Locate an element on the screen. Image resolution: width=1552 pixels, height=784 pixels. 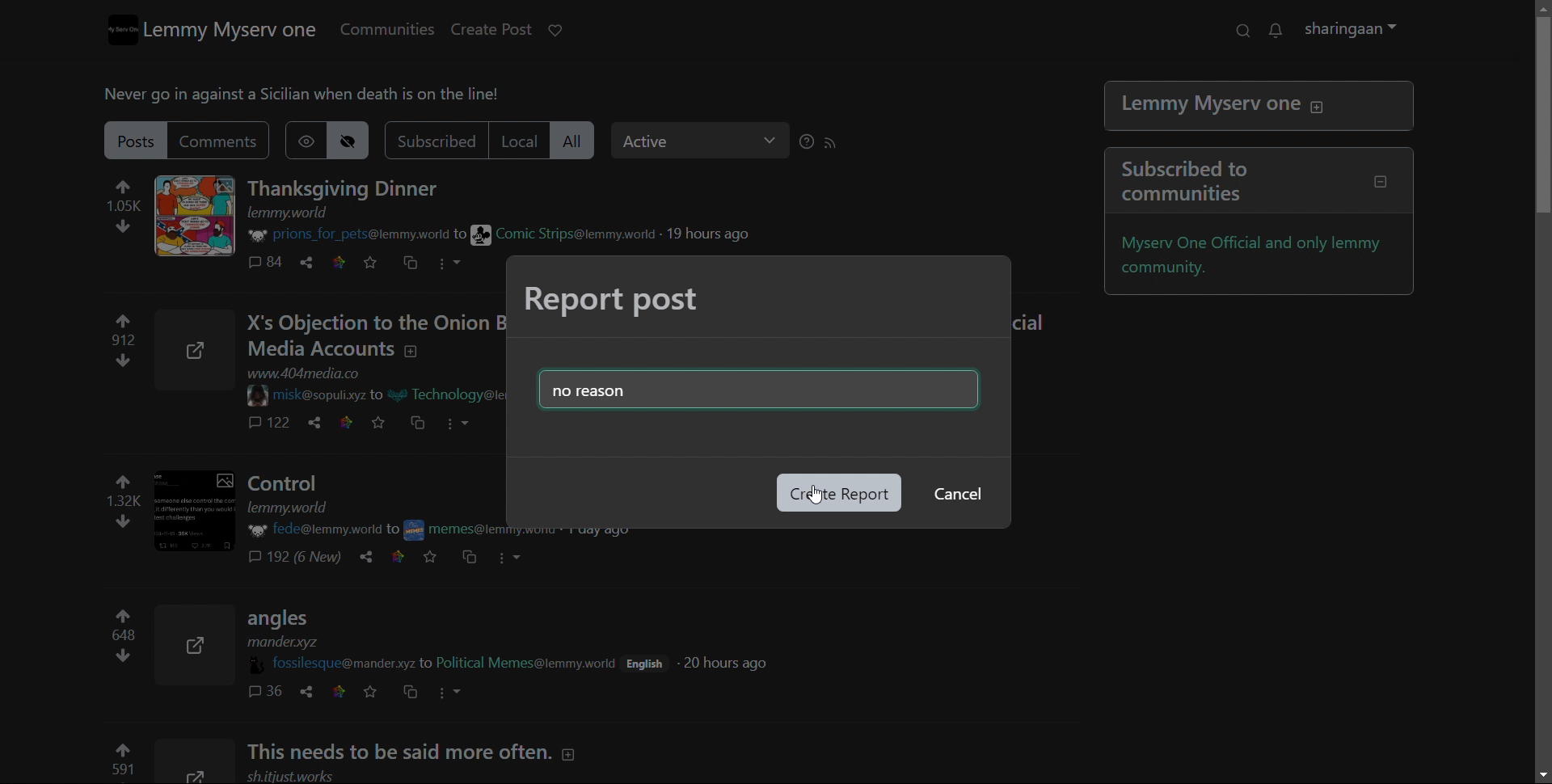
Expand here with this image is located at coordinates (196, 762).